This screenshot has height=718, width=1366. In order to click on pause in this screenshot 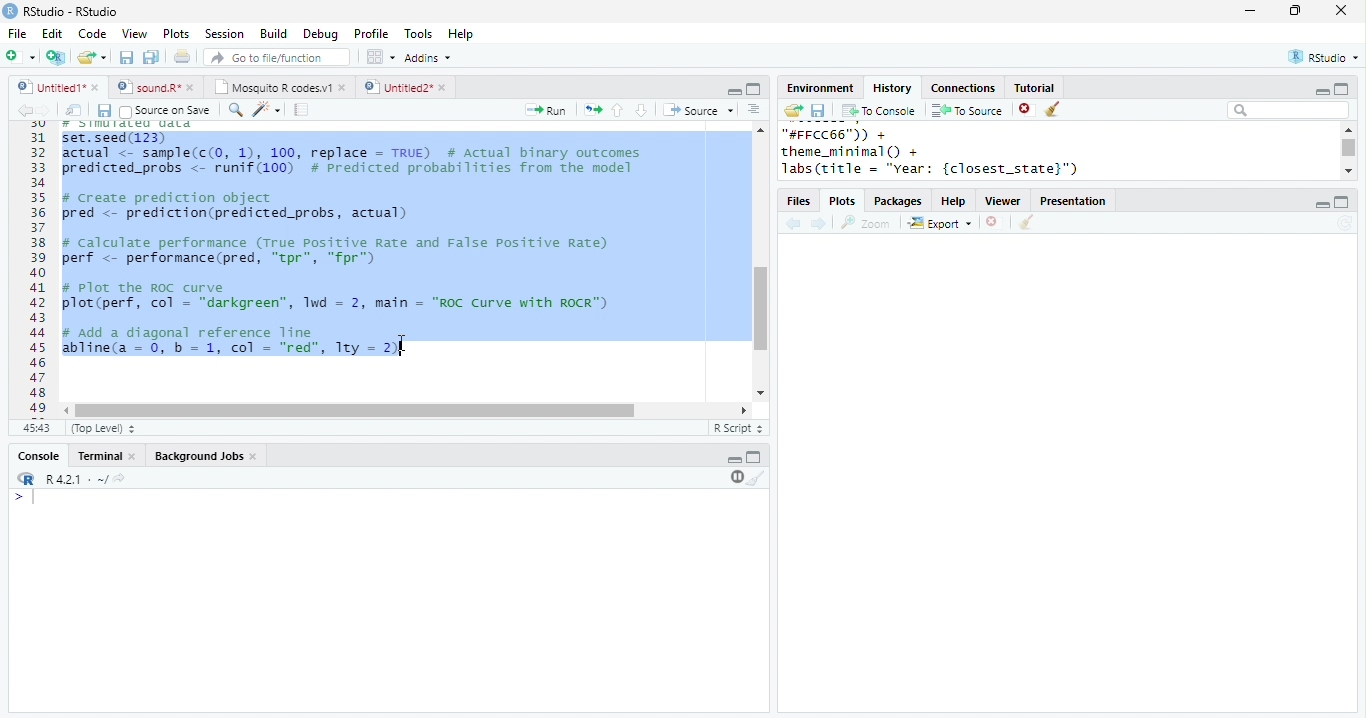, I will do `click(735, 477)`.